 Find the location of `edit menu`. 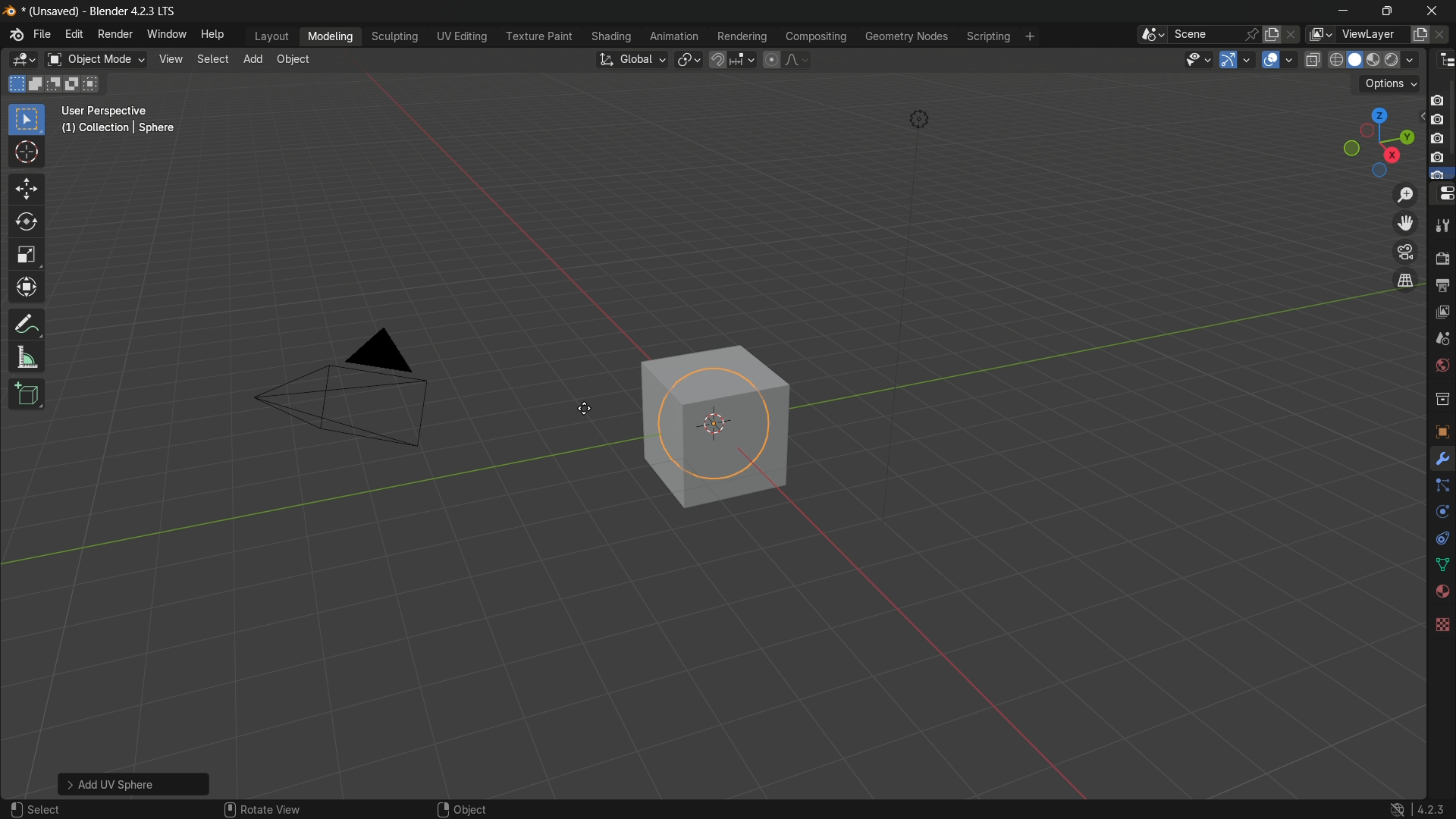

edit menu is located at coordinates (76, 34).